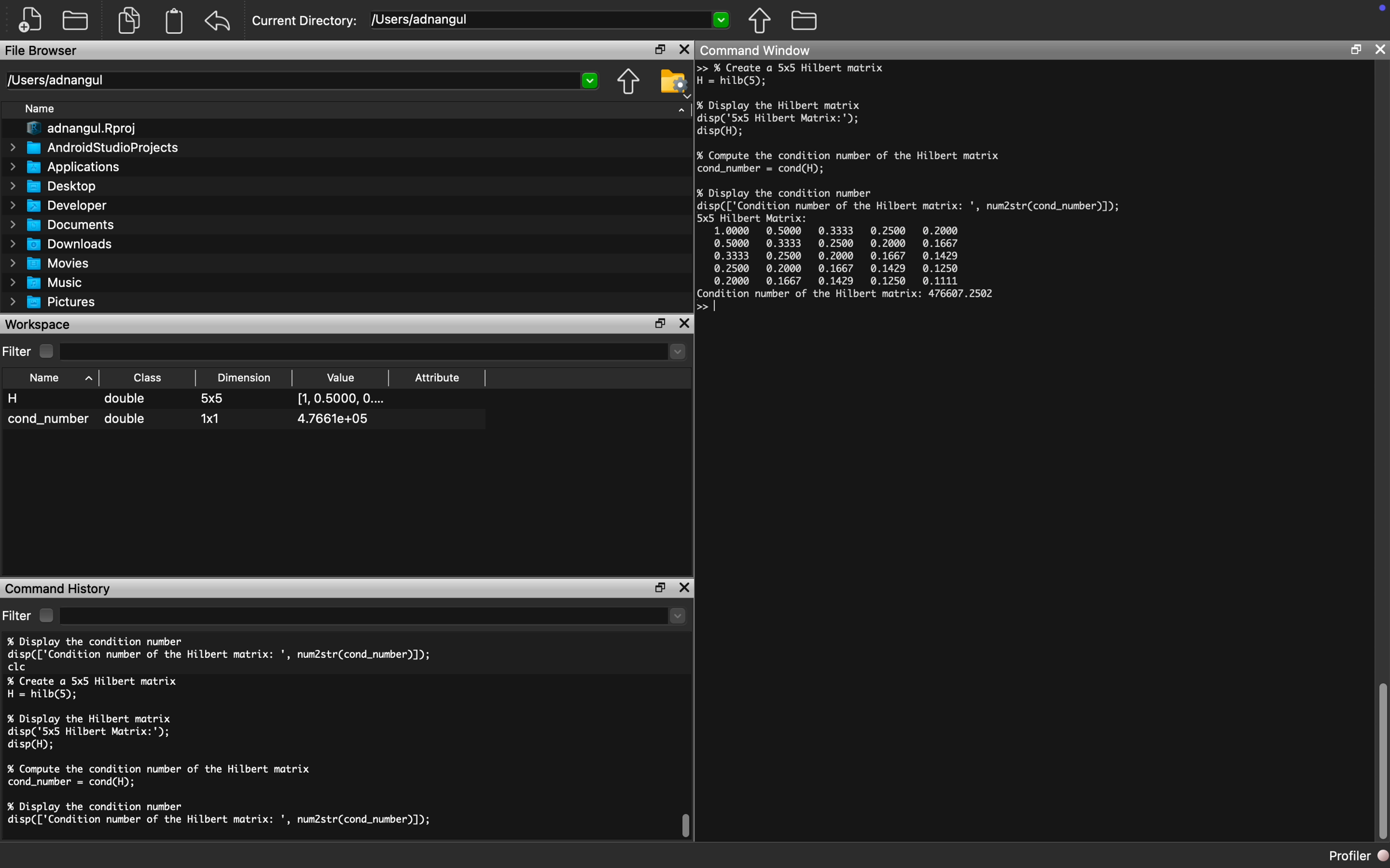 Image resolution: width=1390 pixels, height=868 pixels. What do you see at coordinates (192, 419) in the screenshot?
I see `cond_number double 1x1 4.7661e+05` at bounding box center [192, 419].